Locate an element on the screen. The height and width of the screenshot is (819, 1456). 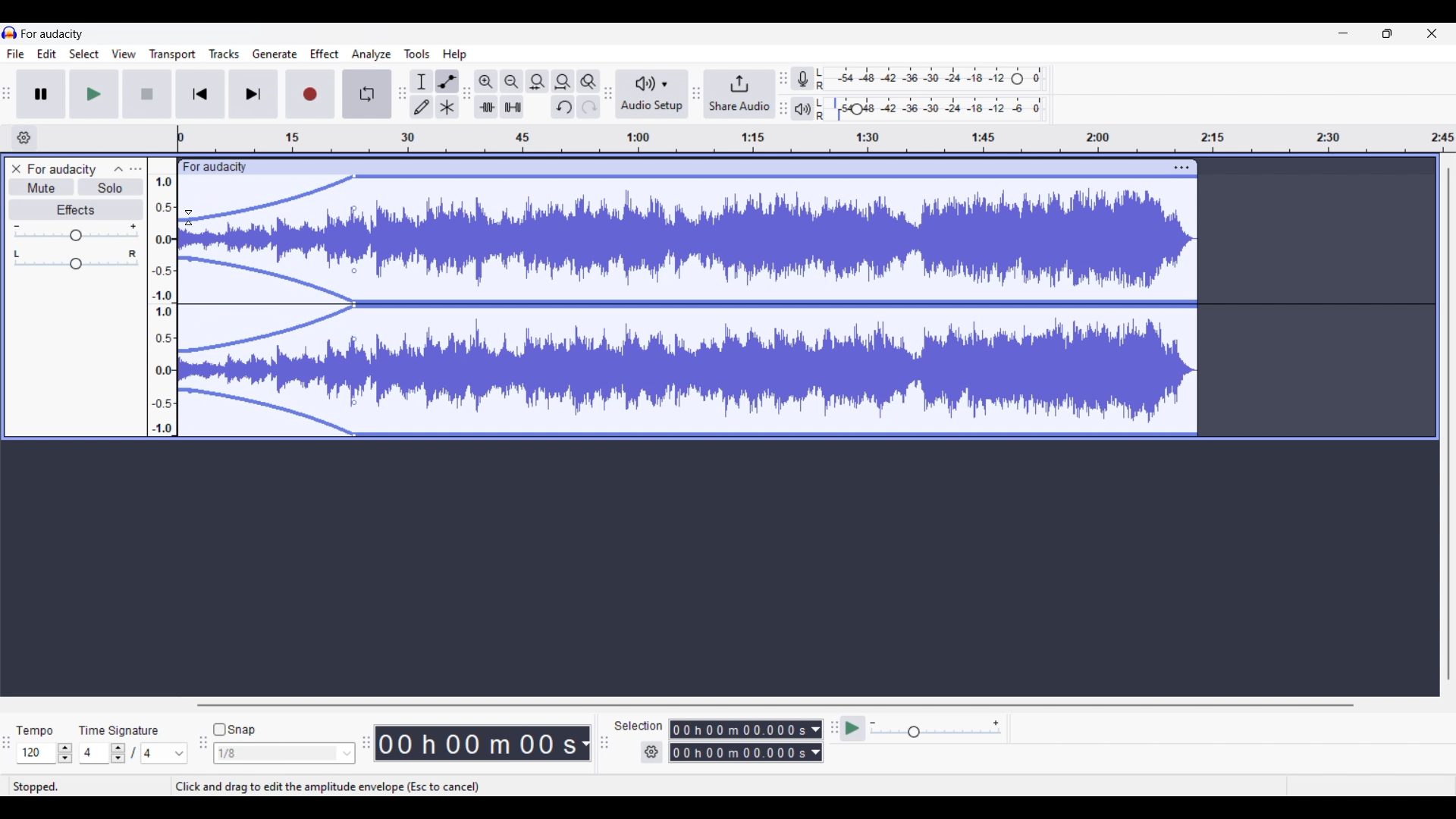
Skip/Select to end is located at coordinates (254, 94).